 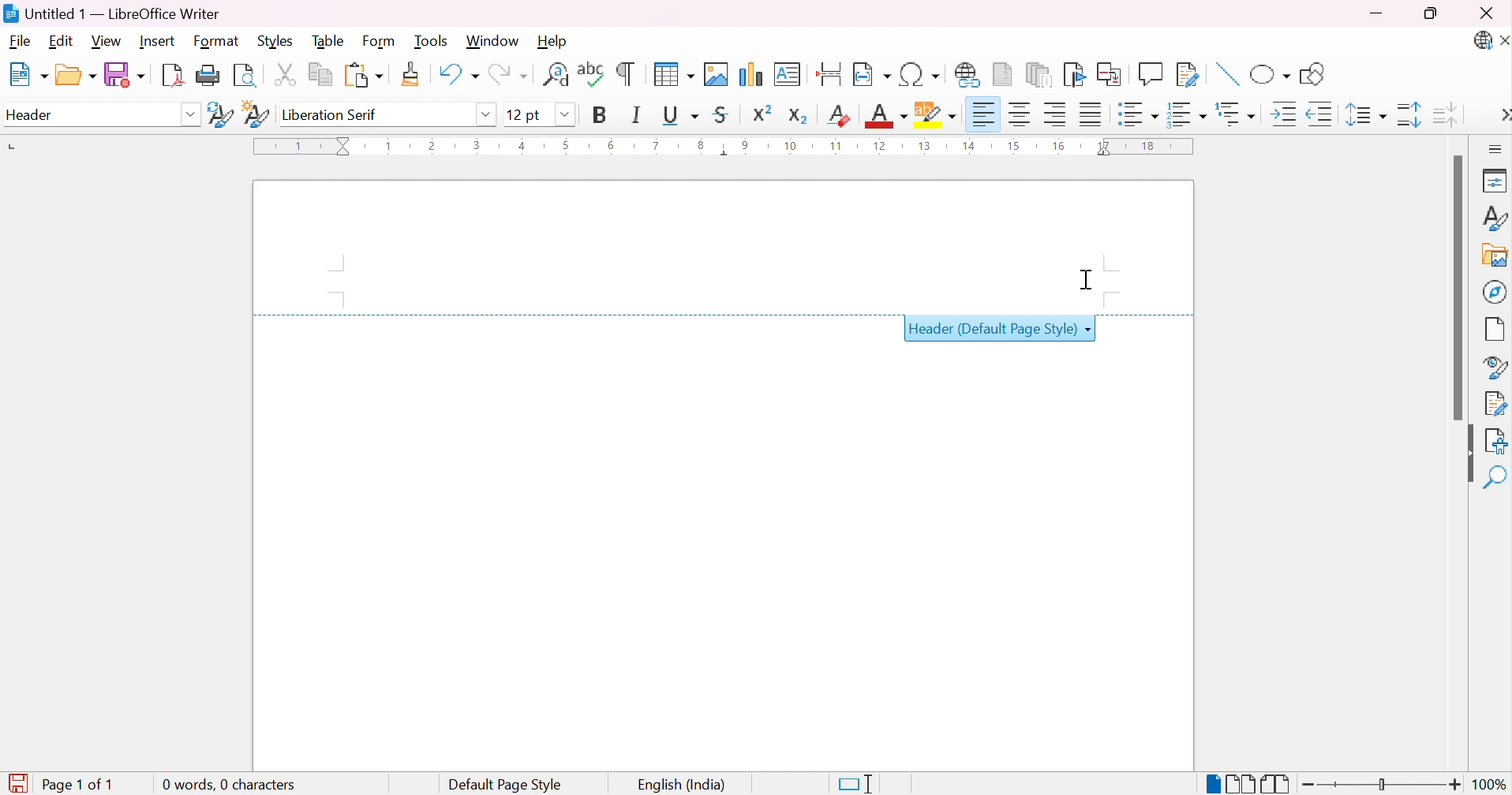 What do you see at coordinates (918, 74) in the screenshot?
I see `Insert special characters` at bounding box center [918, 74].